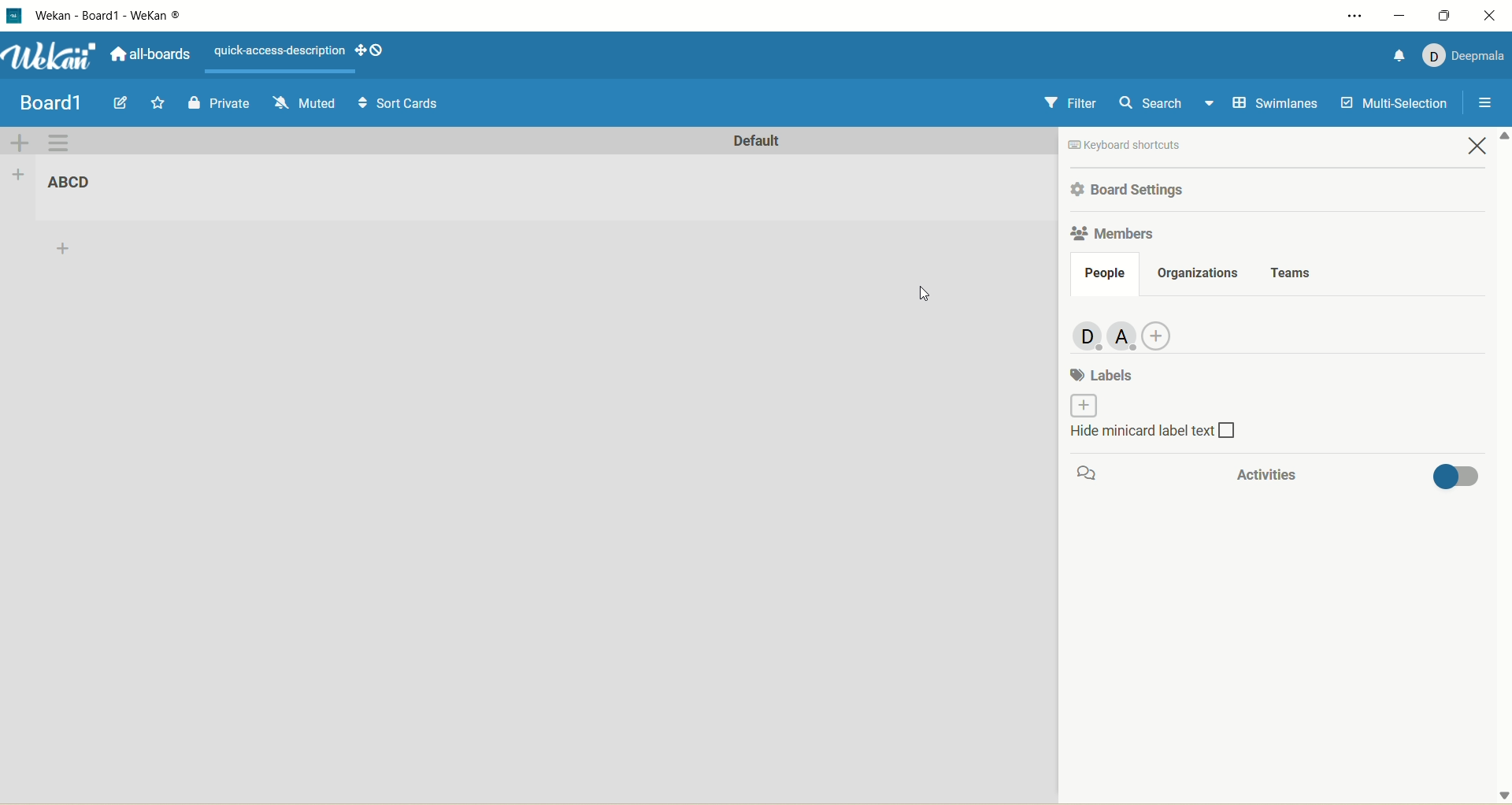 The height and width of the screenshot is (805, 1512). What do you see at coordinates (1123, 333) in the screenshot?
I see `member` at bounding box center [1123, 333].